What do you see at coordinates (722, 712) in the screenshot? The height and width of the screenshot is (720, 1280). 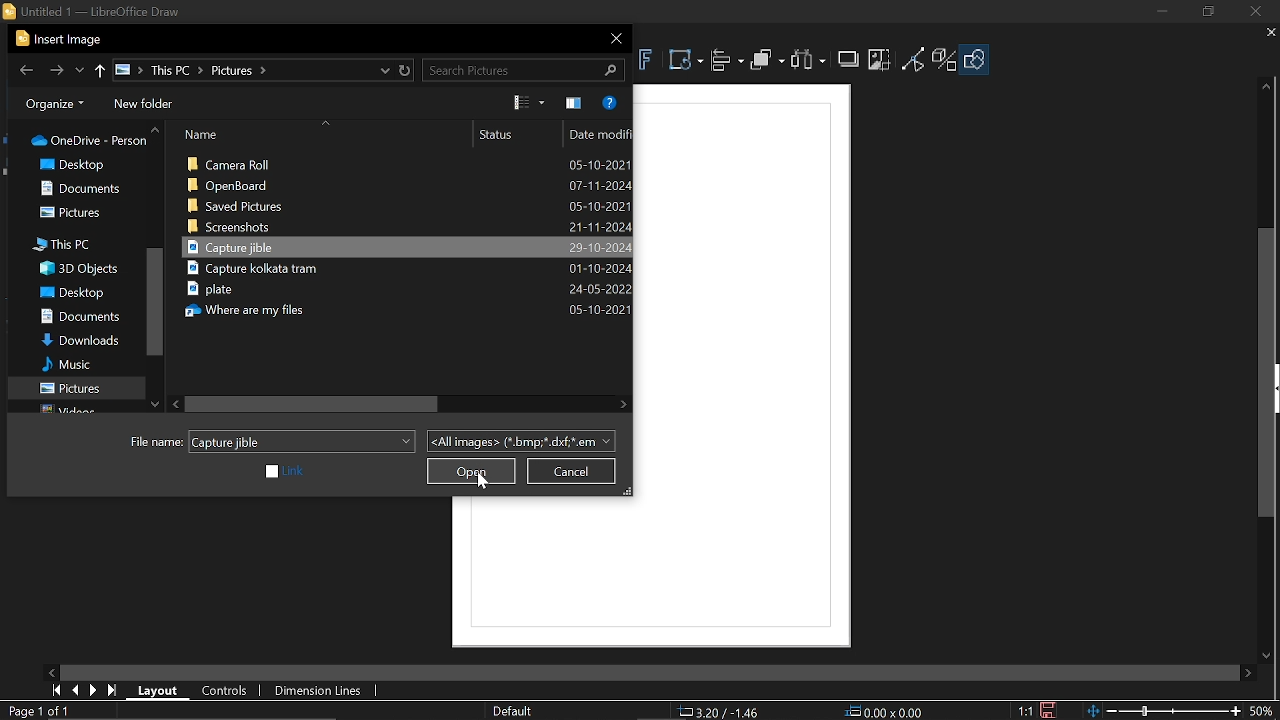 I see `Position` at bounding box center [722, 712].